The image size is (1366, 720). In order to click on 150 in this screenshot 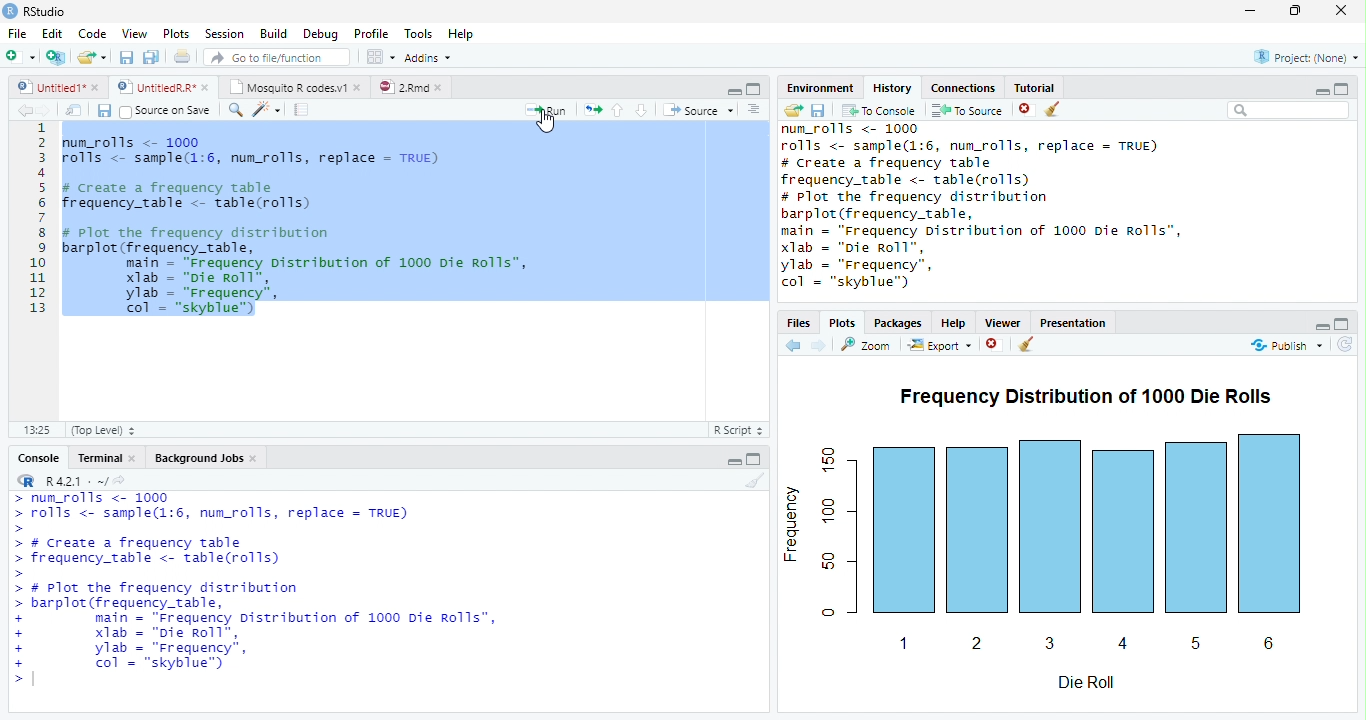, I will do `click(826, 458)`.